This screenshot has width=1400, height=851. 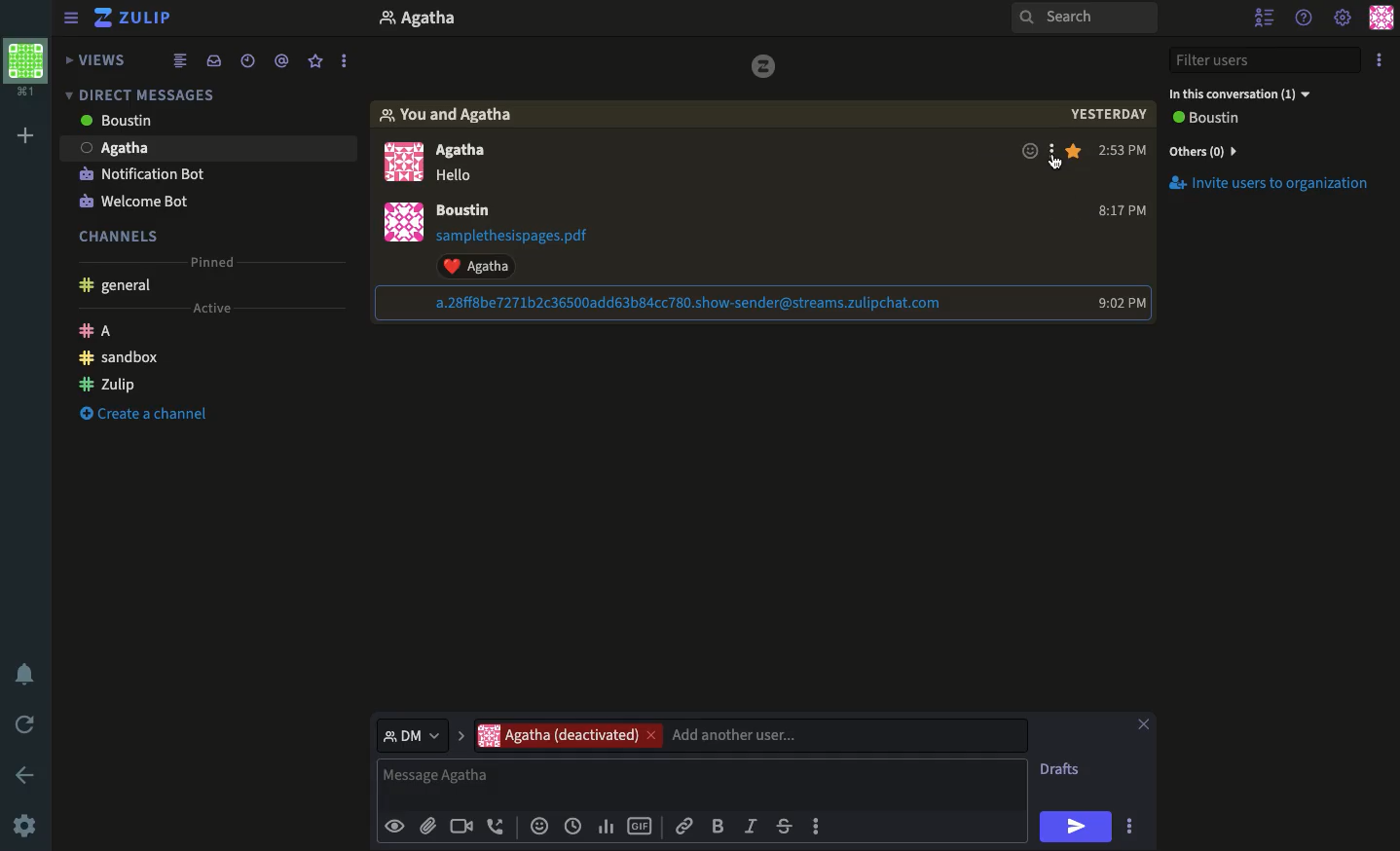 What do you see at coordinates (139, 416) in the screenshot?
I see `Create a channel` at bounding box center [139, 416].